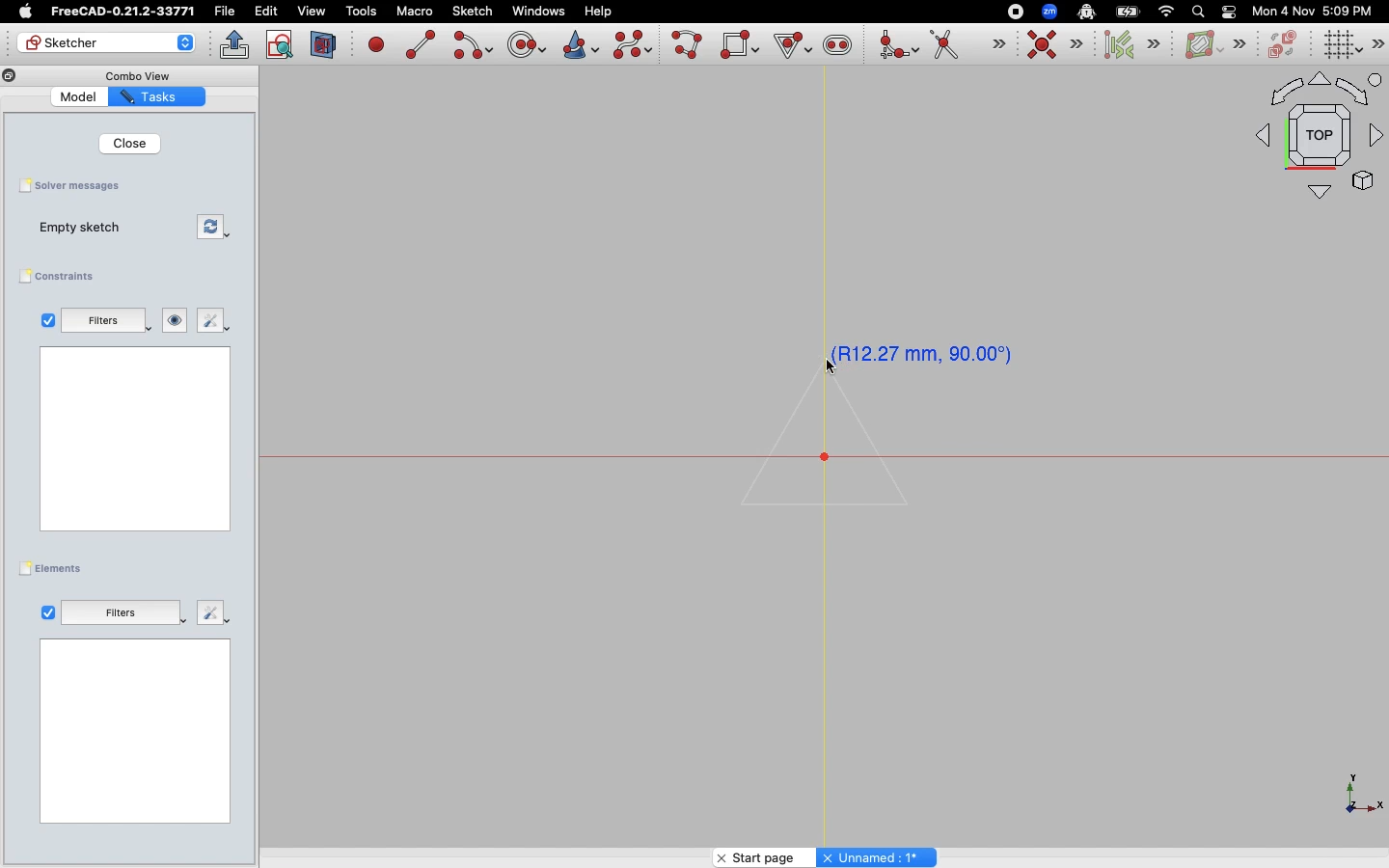 The height and width of the screenshot is (868, 1389). Describe the element at coordinates (789, 44) in the screenshot. I see `Create regular polygon` at that location.